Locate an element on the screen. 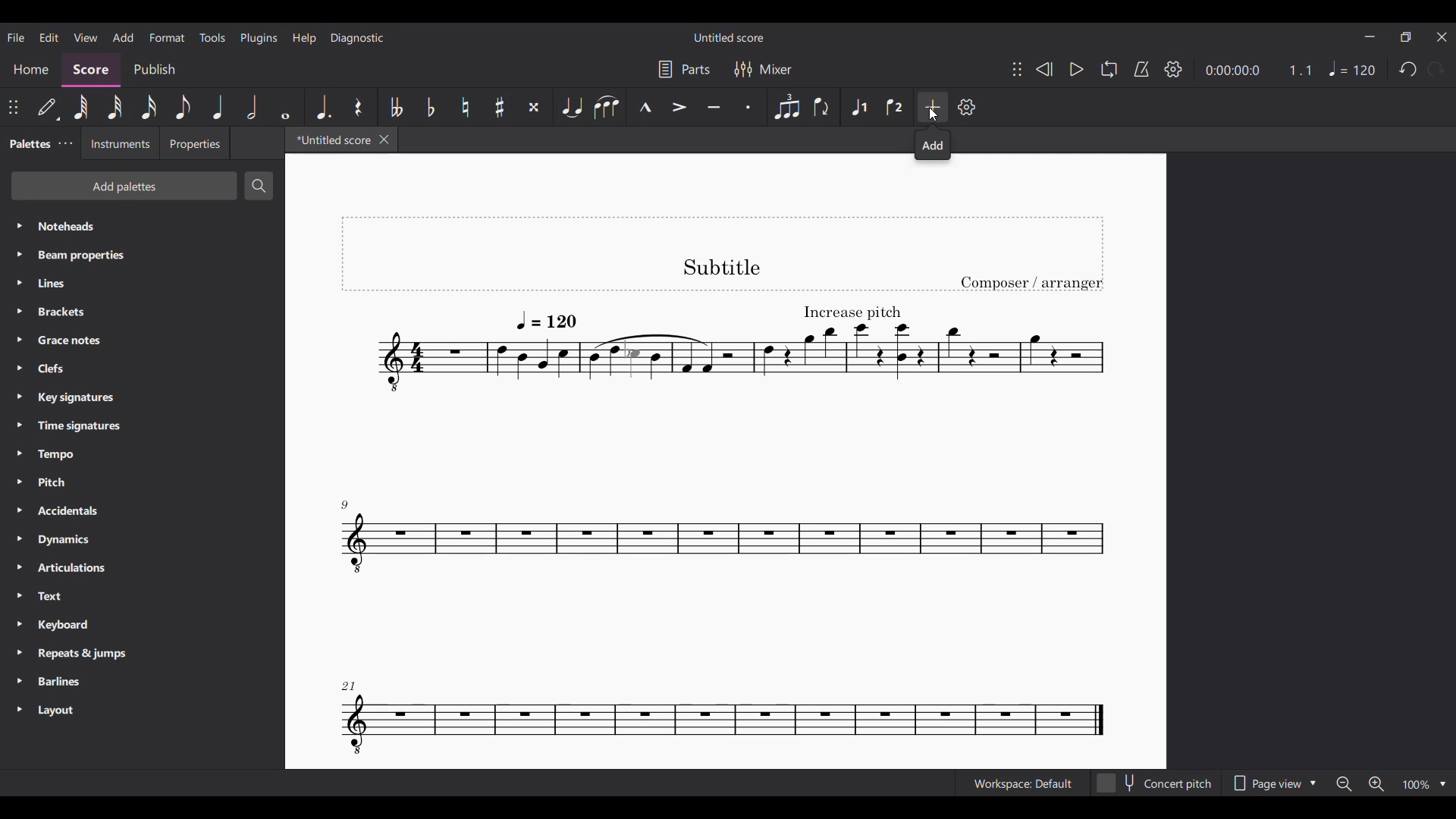  Tenuto is located at coordinates (714, 107).